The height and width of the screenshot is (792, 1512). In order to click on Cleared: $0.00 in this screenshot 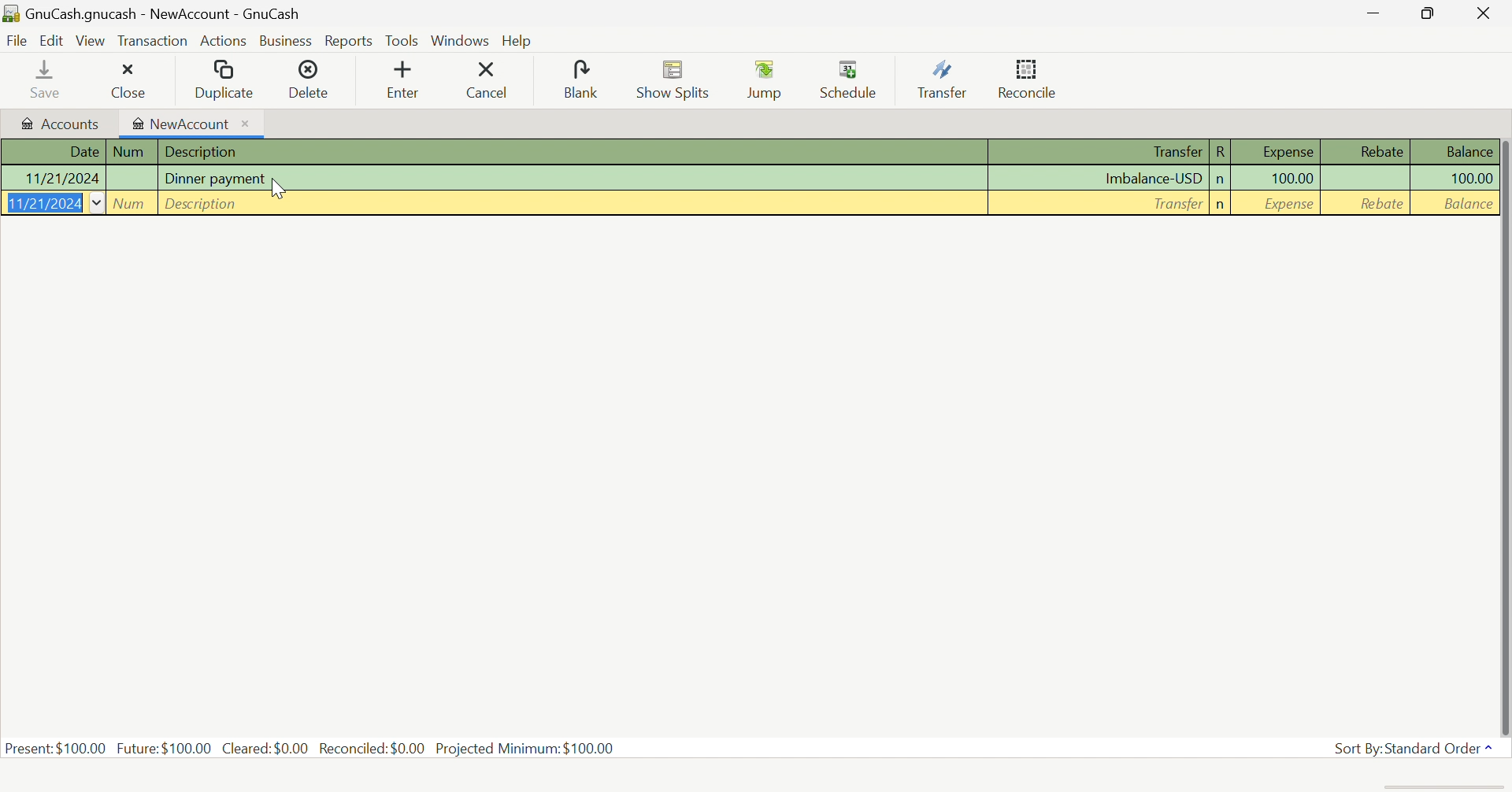, I will do `click(265, 747)`.